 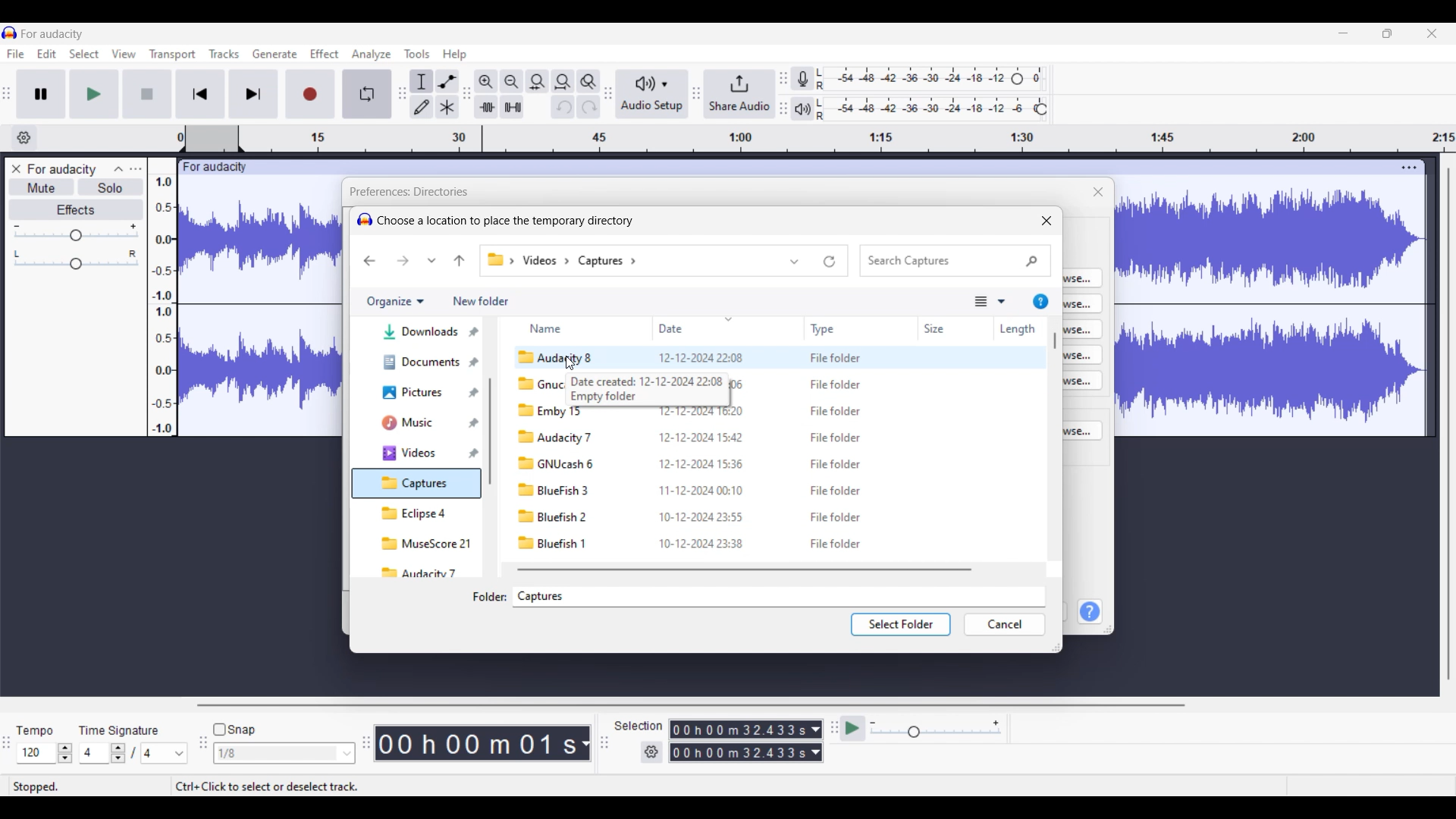 What do you see at coordinates (649, 391) in the screenshot?
I see `date created: 12-12-2024 22:08 empty folder` at bounding box center [649, 391].